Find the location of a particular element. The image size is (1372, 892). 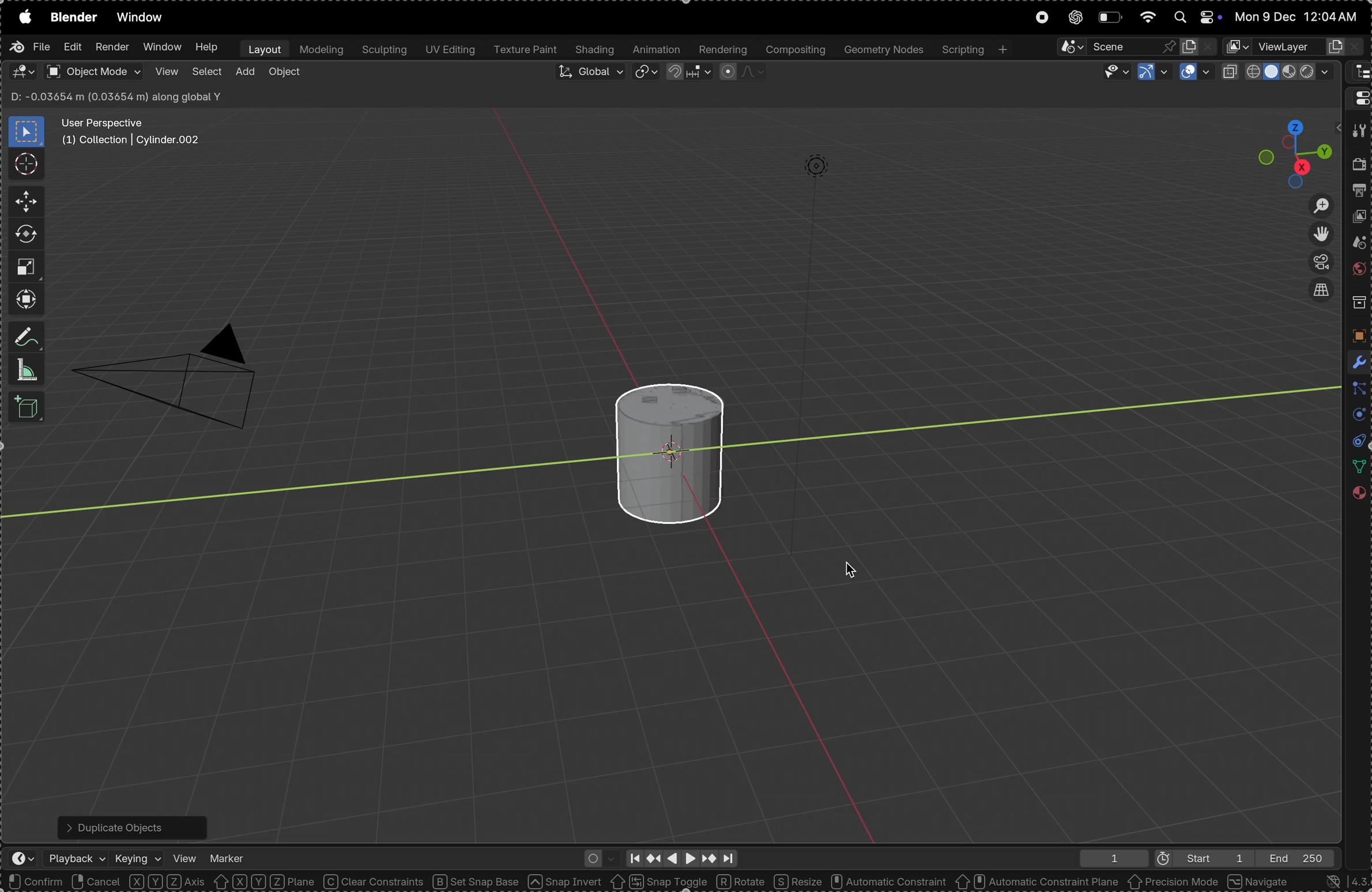

worls is located at coordinates (1358, 271).